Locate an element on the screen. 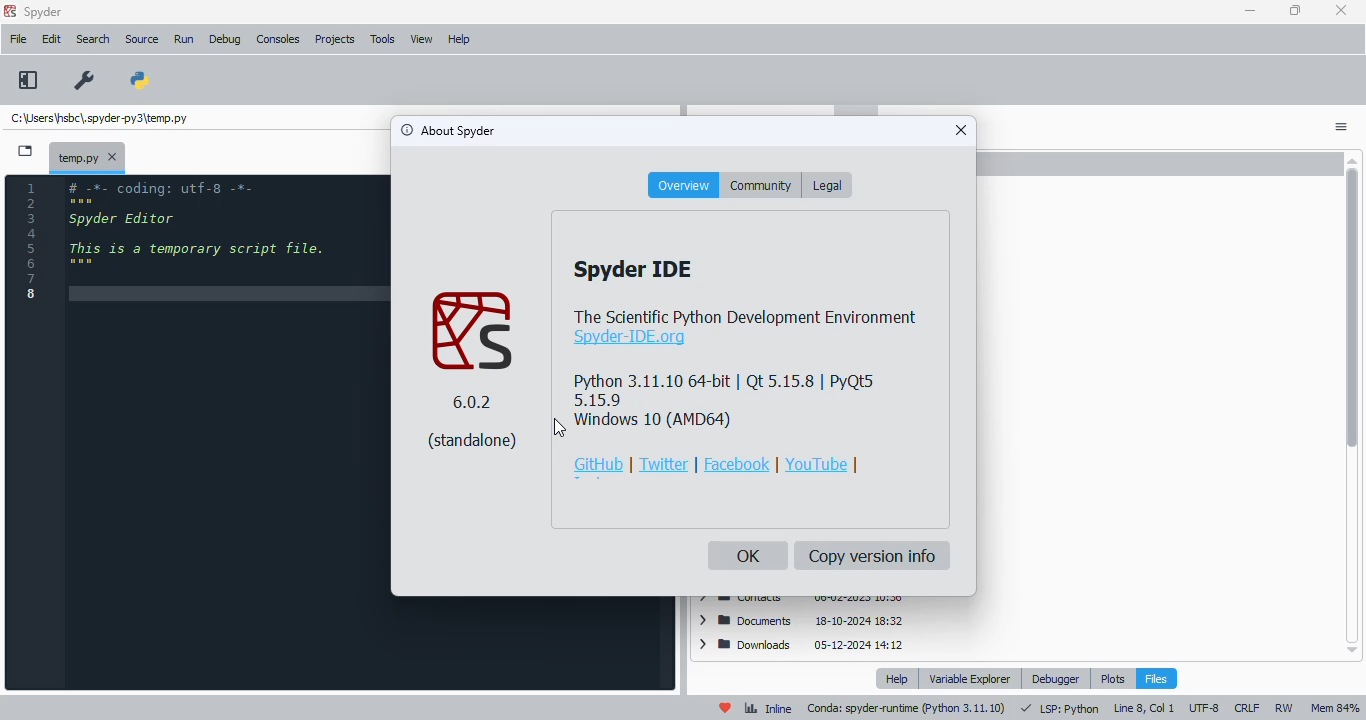  source is located at coordinates (142, 39).